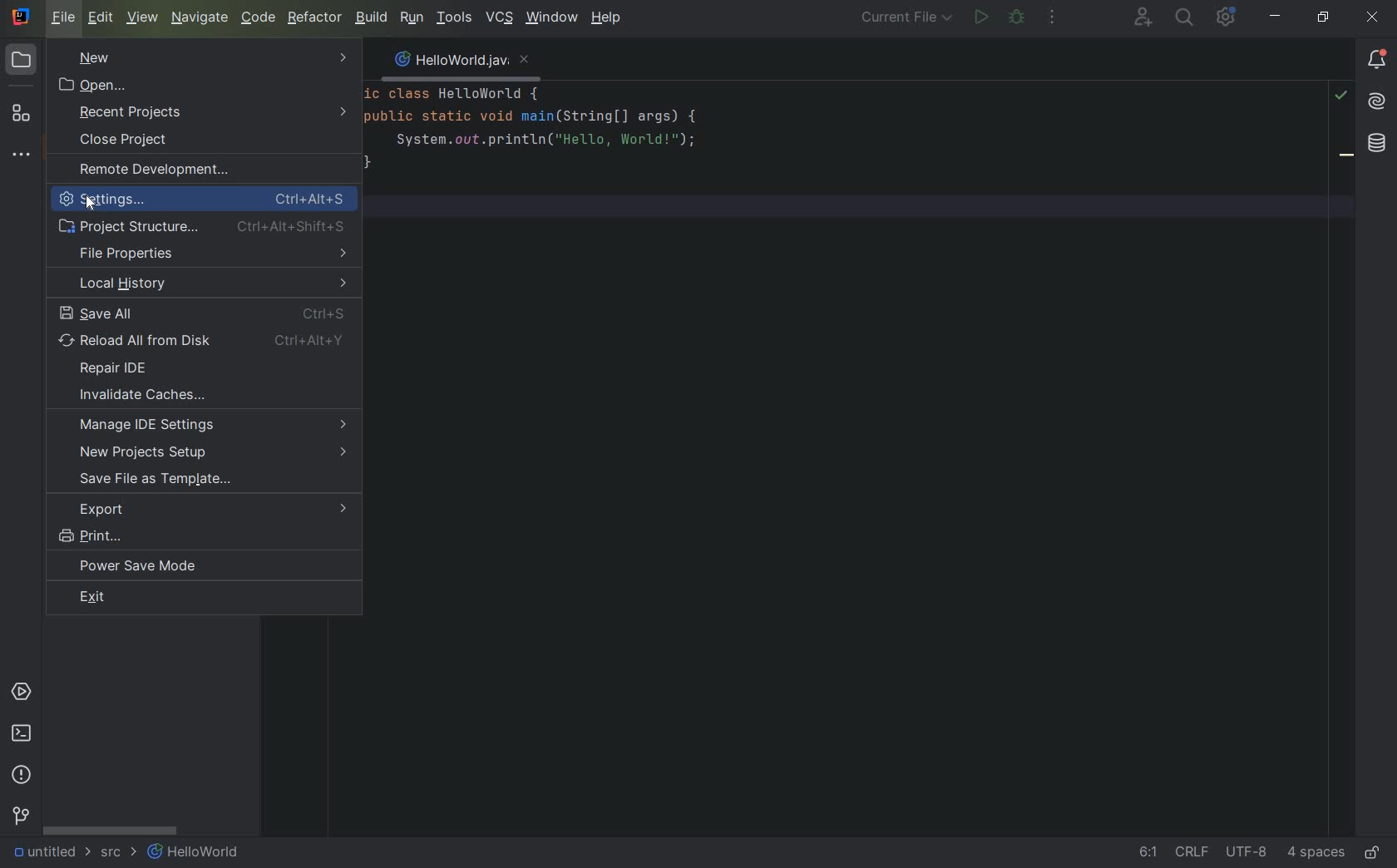 This screenshot has height=868, width=1397. Describe the element at coordinates (1192, 854) in the screenshot. I see `line separator` at that location.